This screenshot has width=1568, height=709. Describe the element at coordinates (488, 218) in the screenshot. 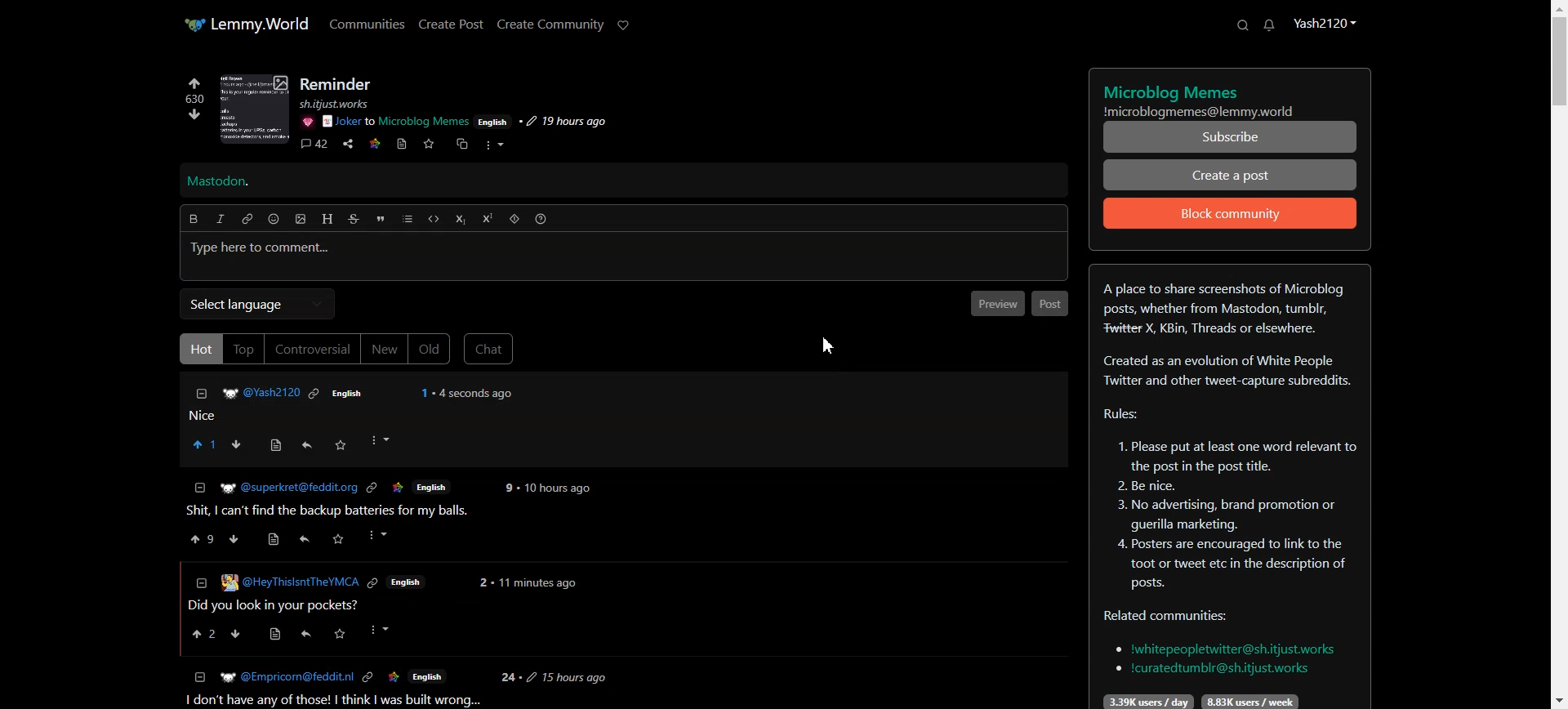

I see `Superscript` at that location.